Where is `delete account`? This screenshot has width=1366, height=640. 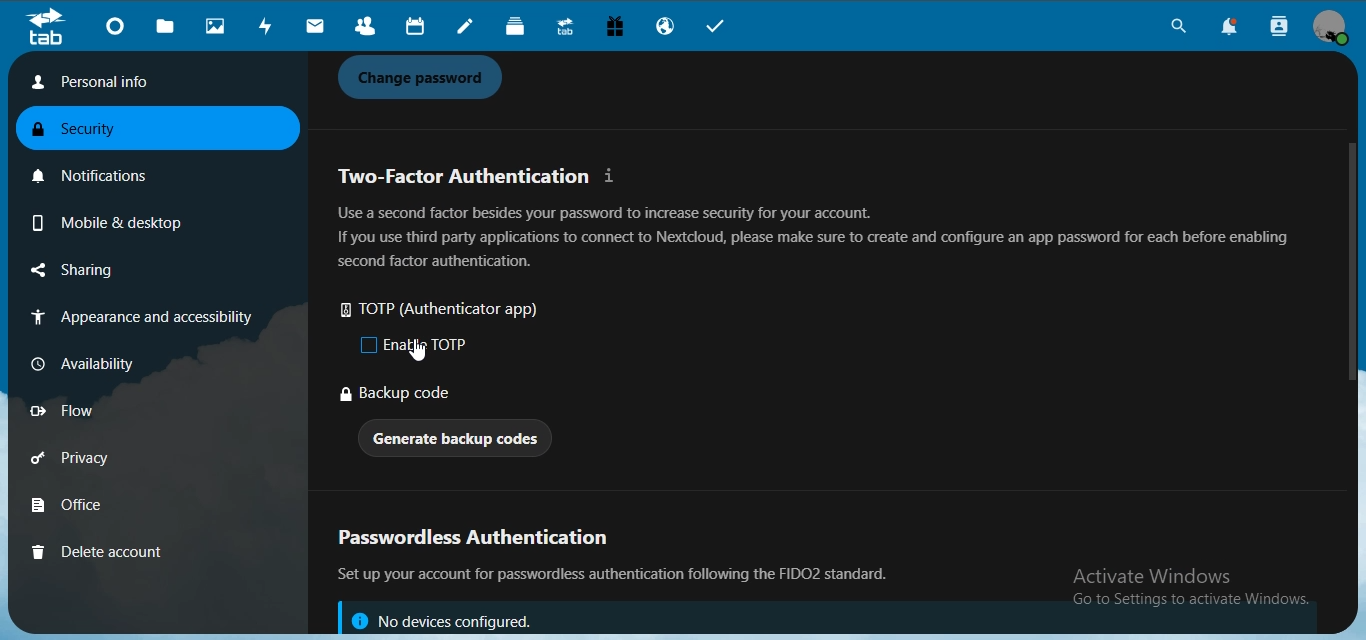 delete account is located at coordinates (98, 551).